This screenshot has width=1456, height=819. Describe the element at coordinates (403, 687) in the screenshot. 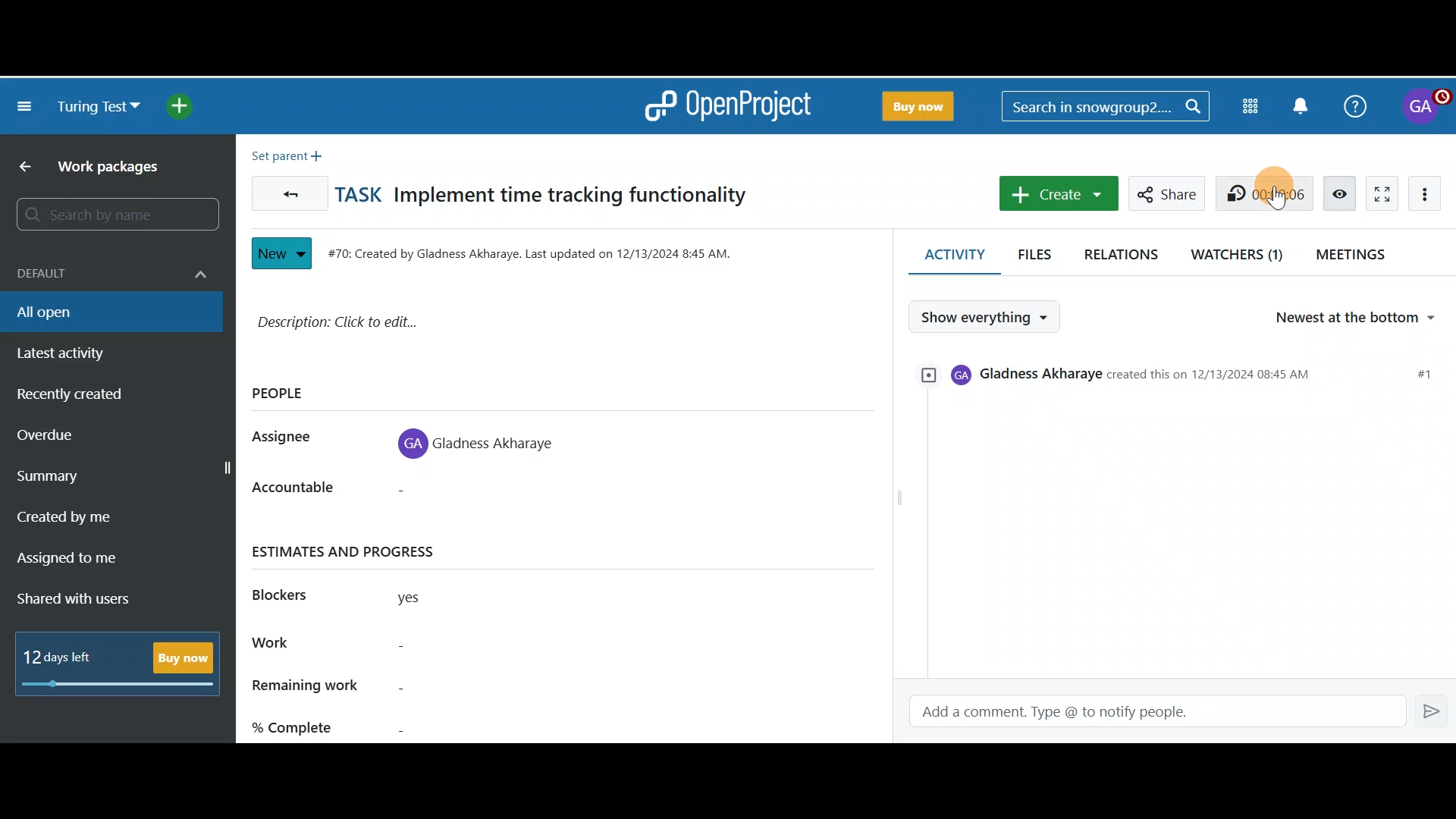

I see `Remaining work` at that location.